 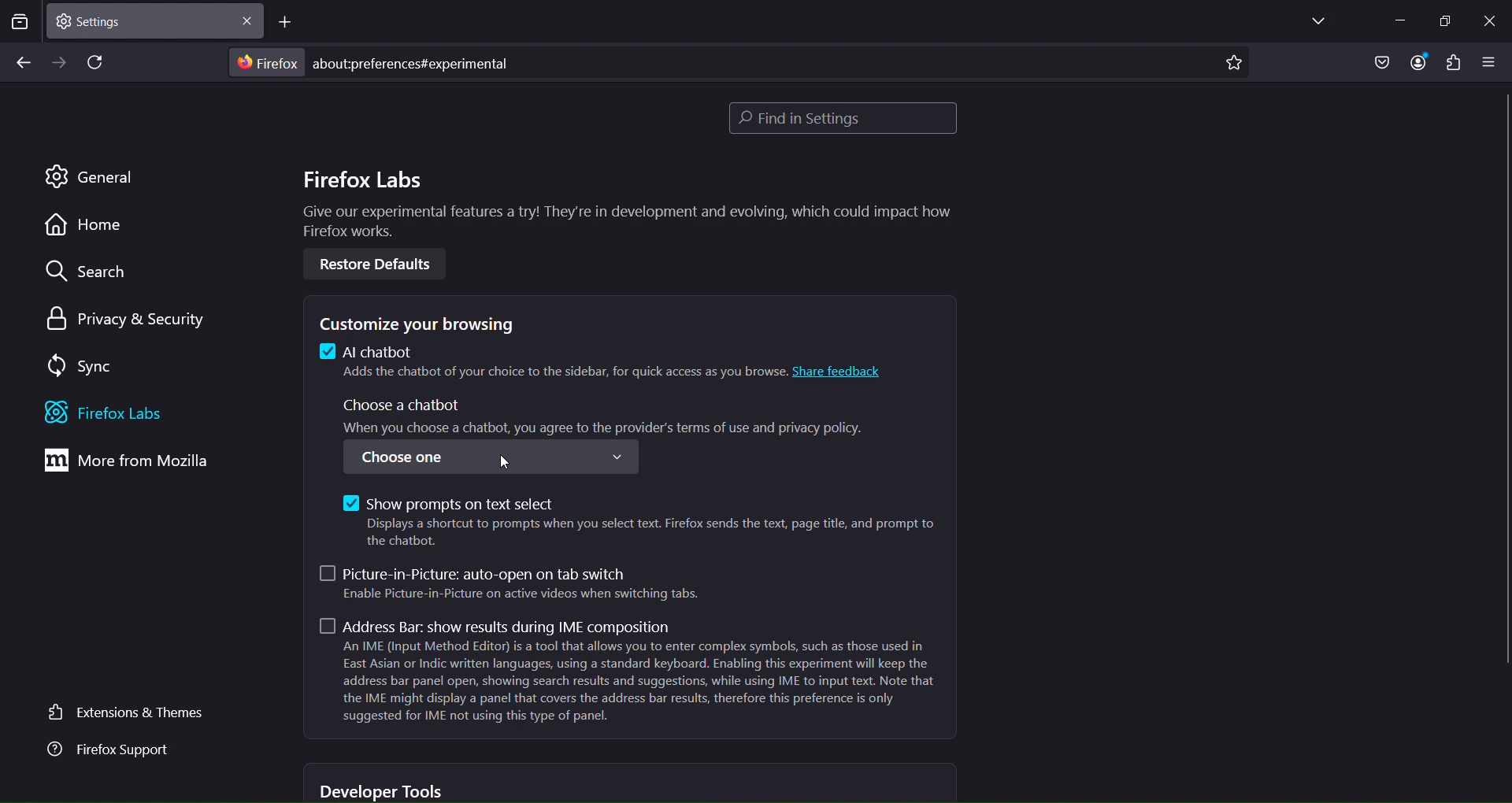 What do you see at coordinates (86, 227) in the screenshot?
I see `home` at bounding box center [86, 227].